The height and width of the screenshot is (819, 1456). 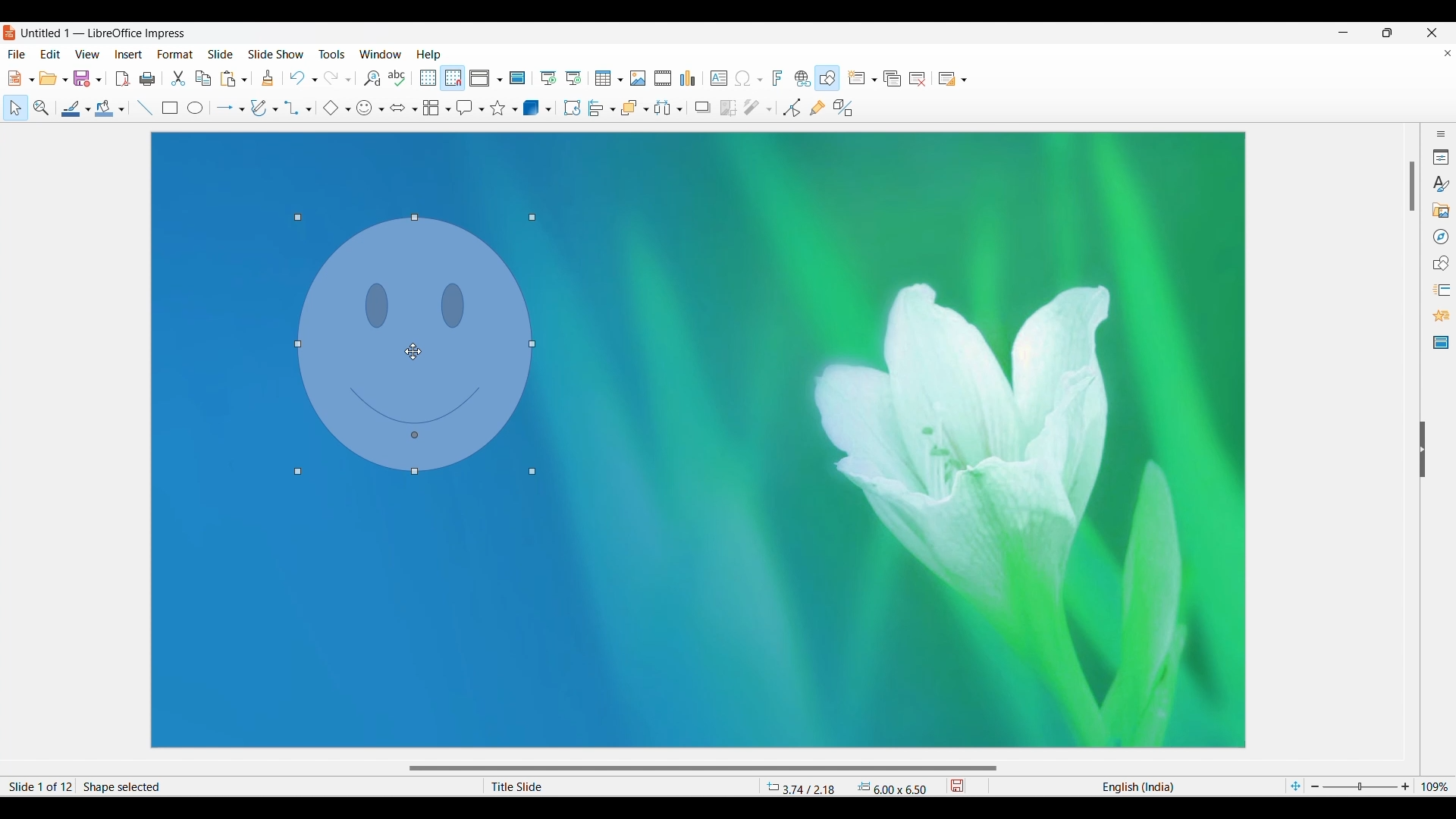 What do you see at coordinates (817, 108) in the screenshot?
I see `Show gluepoint functions` at bounding box center [817, 108].